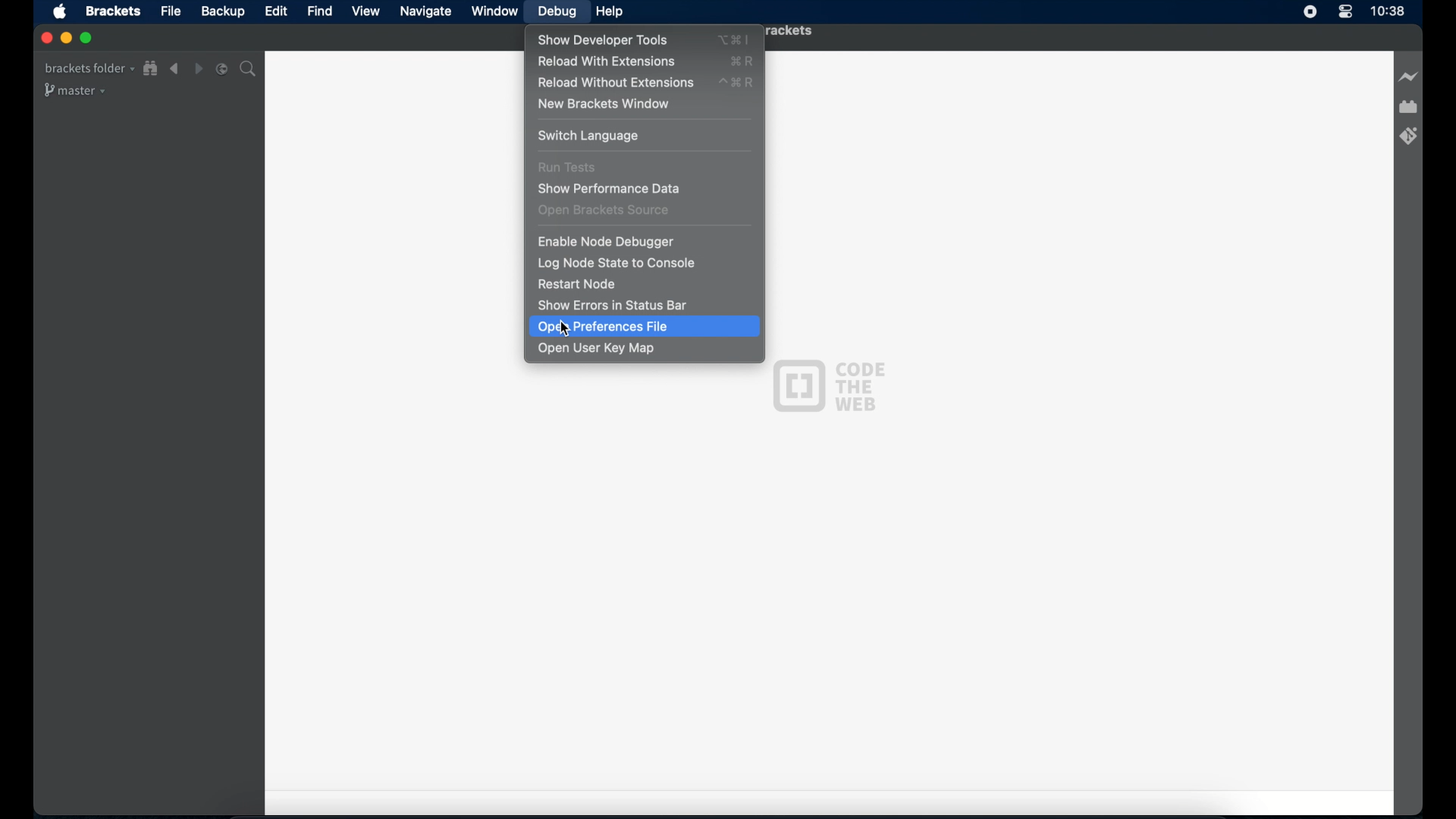 This screenshot has width=1456, height=819. What do you see at coordinates (425, 12) in the screenshot?
I see `navigate` at bounding box center [425, 12].